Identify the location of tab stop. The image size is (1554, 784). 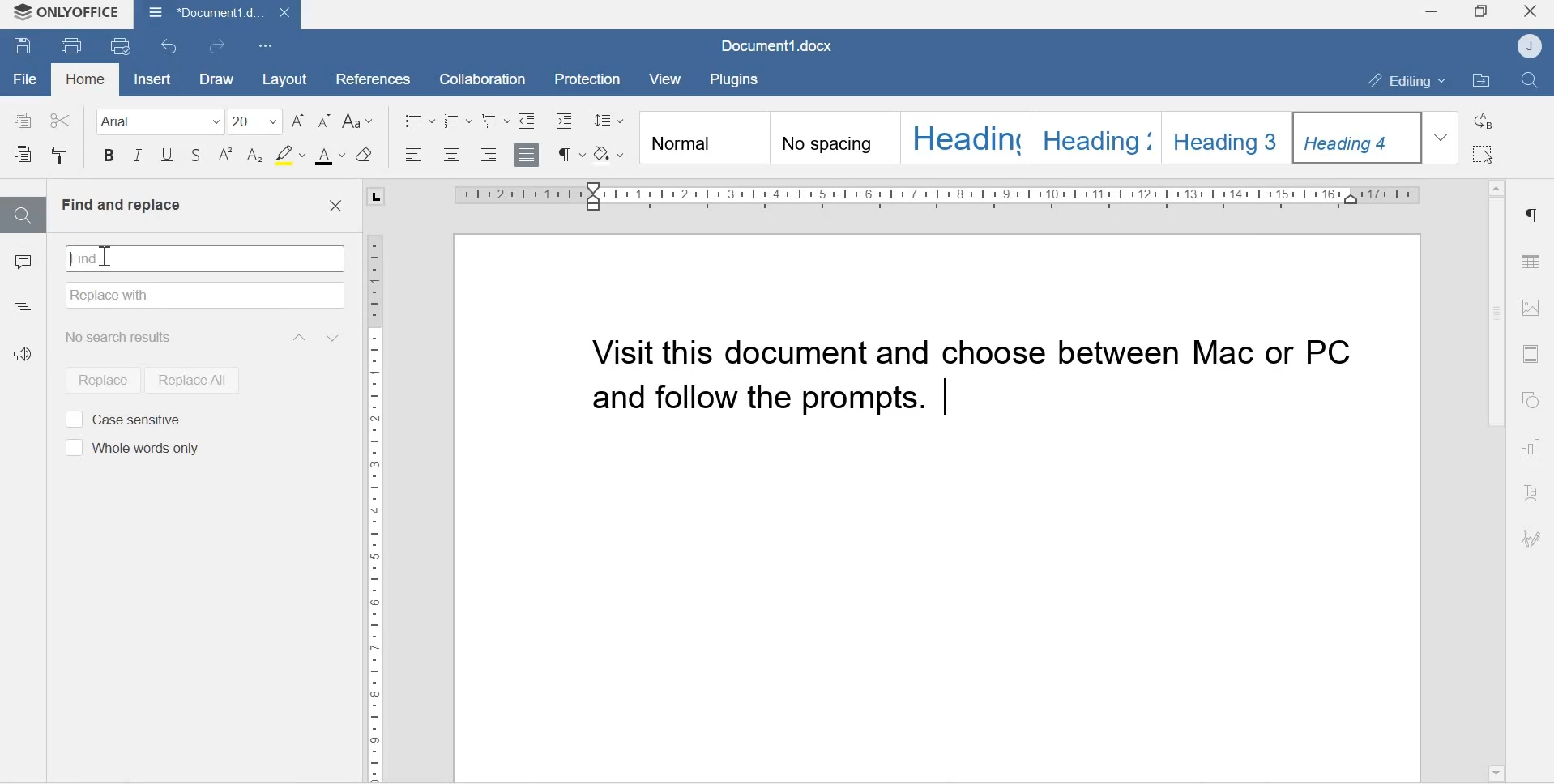
(374, 194).